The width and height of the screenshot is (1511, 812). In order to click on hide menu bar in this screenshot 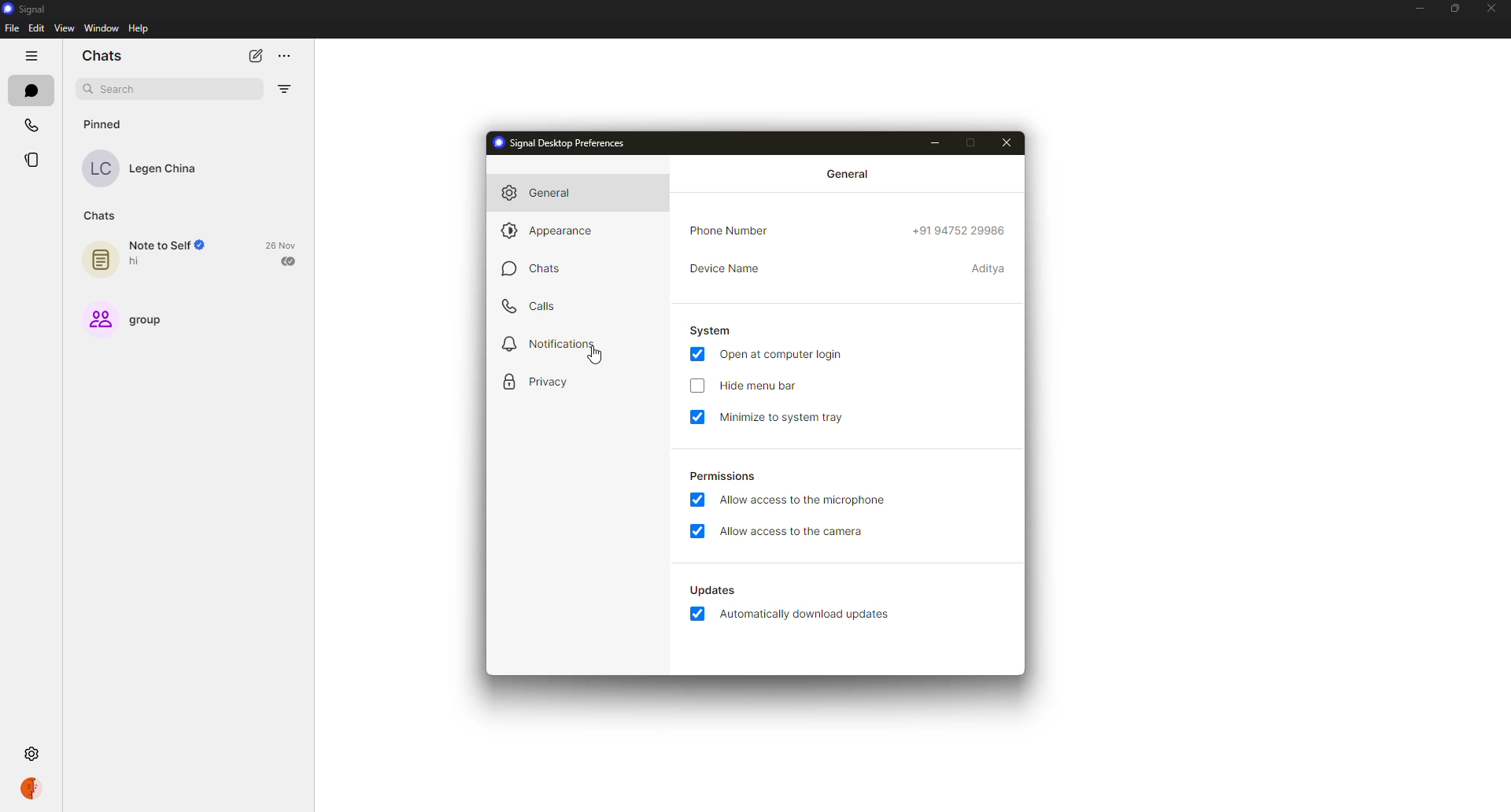, I will do `click(763, 387)`.